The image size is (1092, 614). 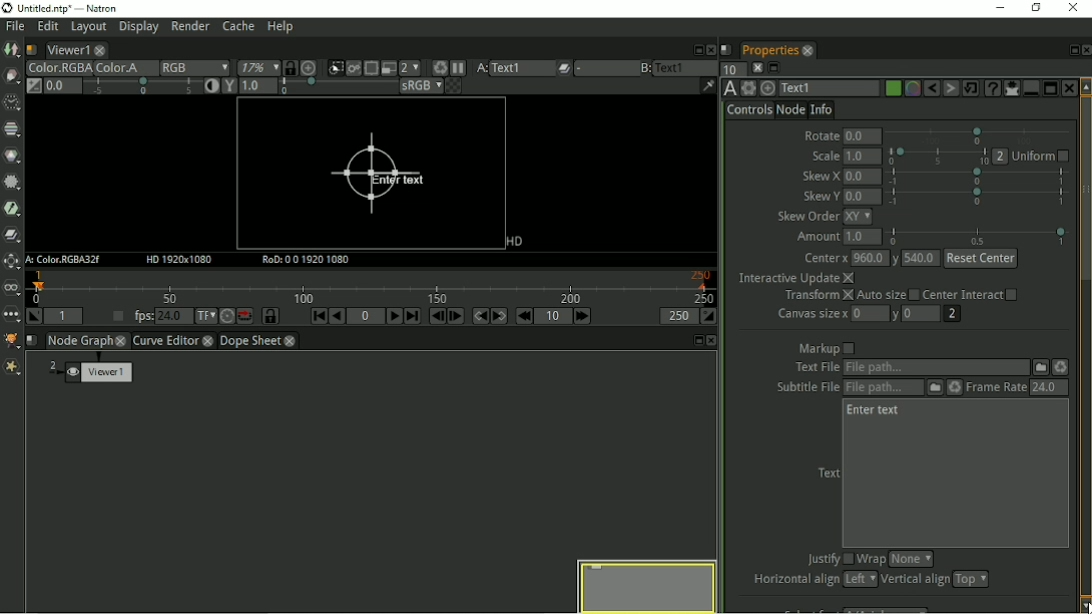 I want to click on Script name, so click(x=31, y=50).